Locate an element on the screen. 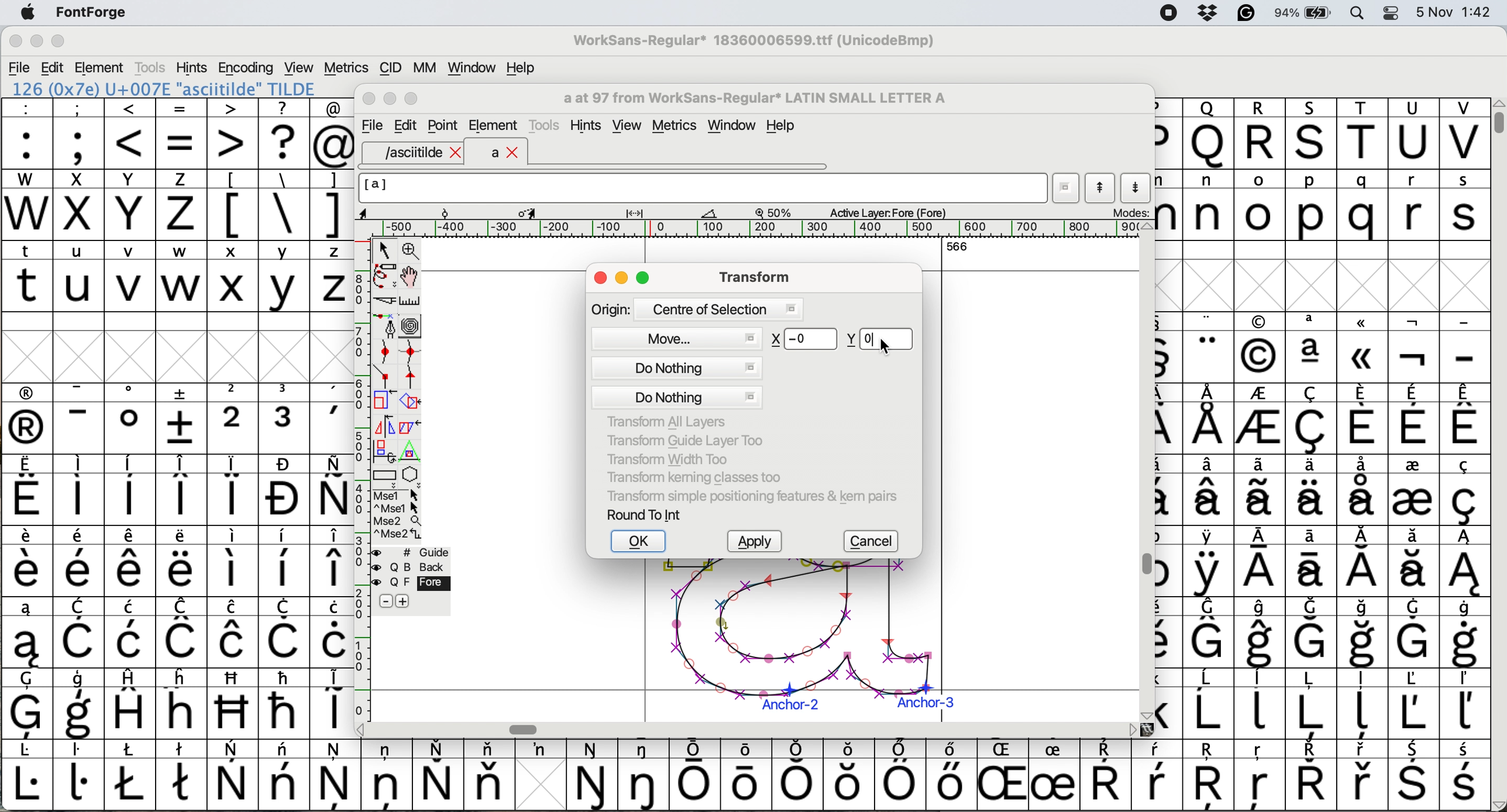 The width and height of the screenshot is (1507, 812). symbol is located at coordinates (696, 775).